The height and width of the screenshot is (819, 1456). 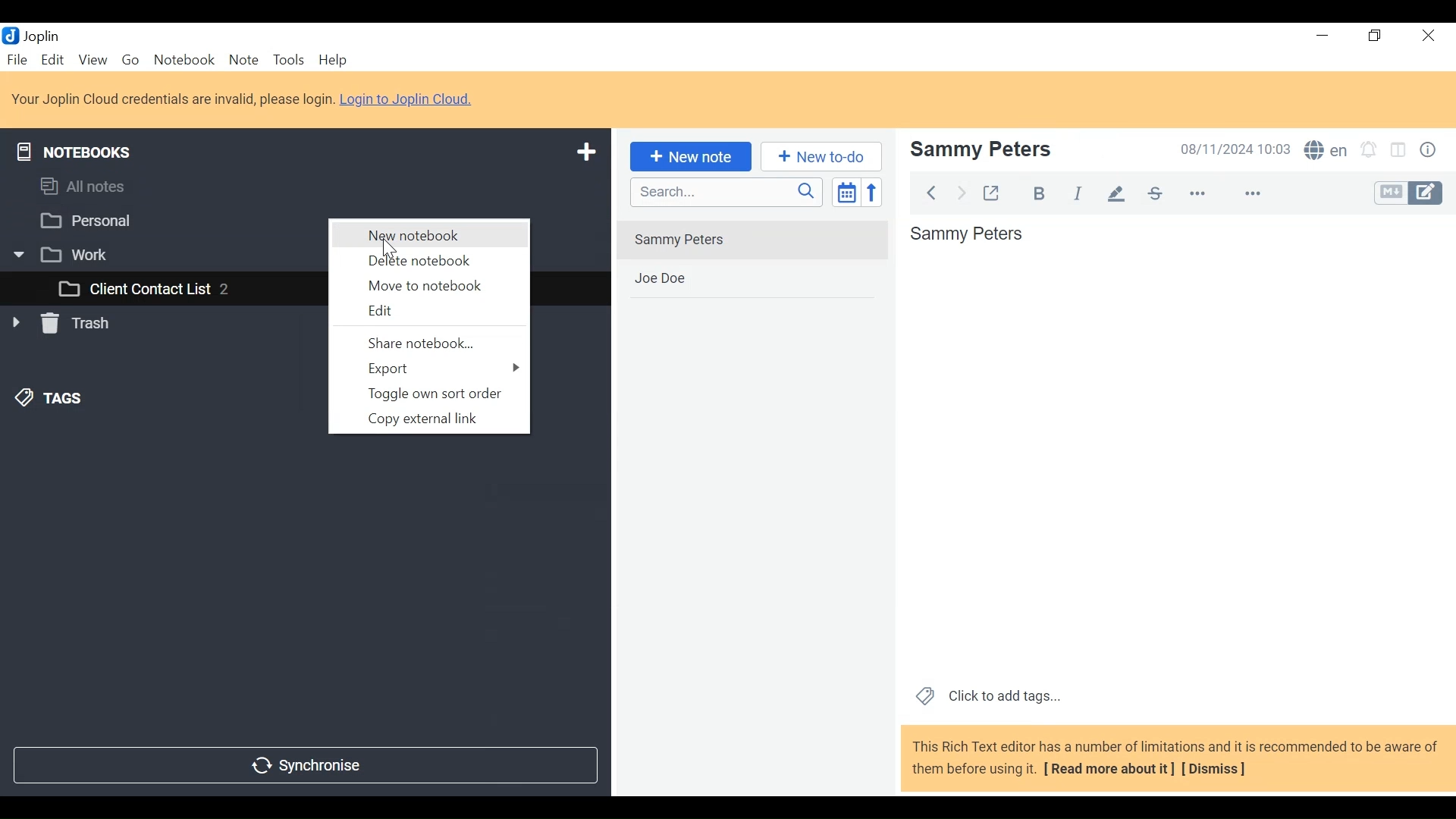 I want to click on This Rich Text editor has a number of limitations and it is recommended to be aware of
them before using it. [ Read more about it] [Dismiss], so click(x=1175, y=759).